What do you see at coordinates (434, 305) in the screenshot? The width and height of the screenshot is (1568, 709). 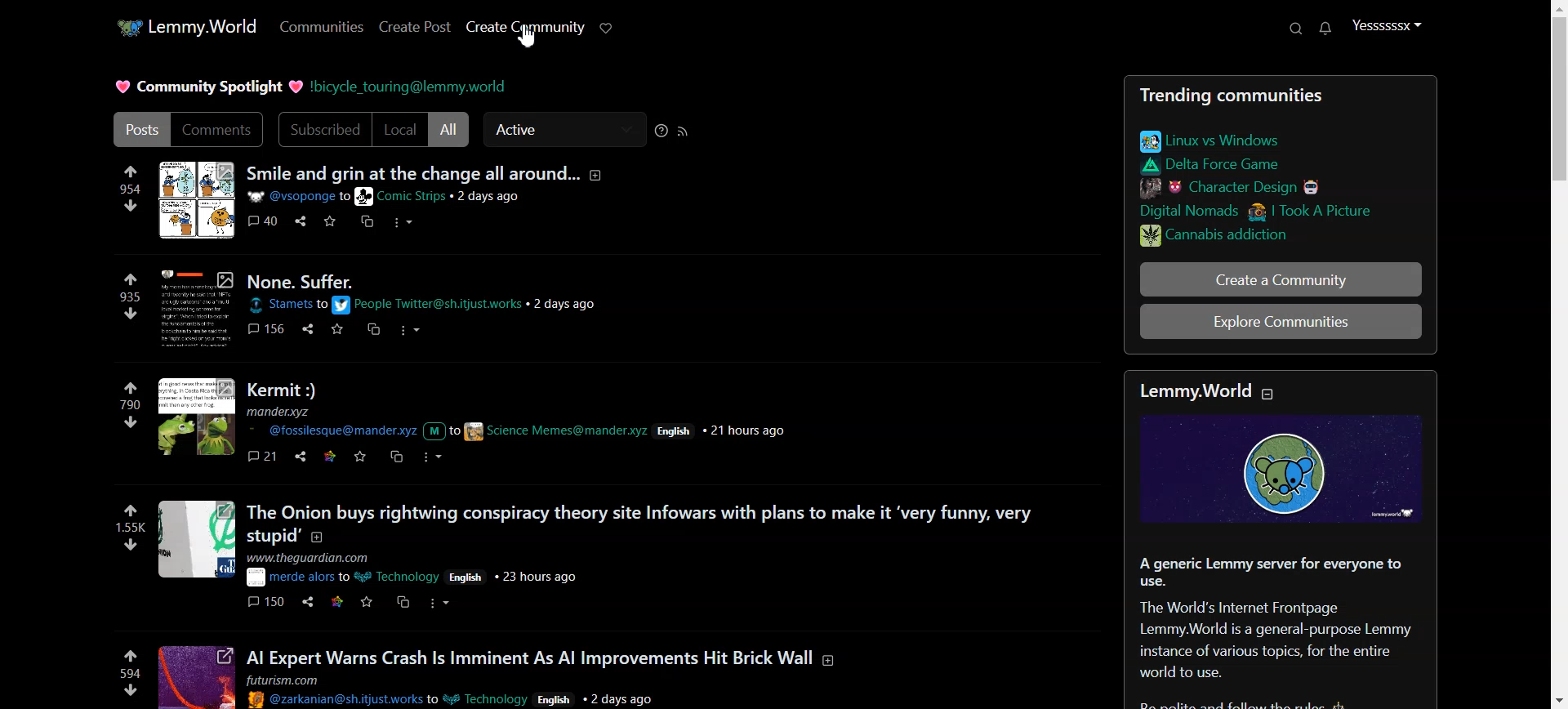 I see `details` at bounding box center [434, 305].